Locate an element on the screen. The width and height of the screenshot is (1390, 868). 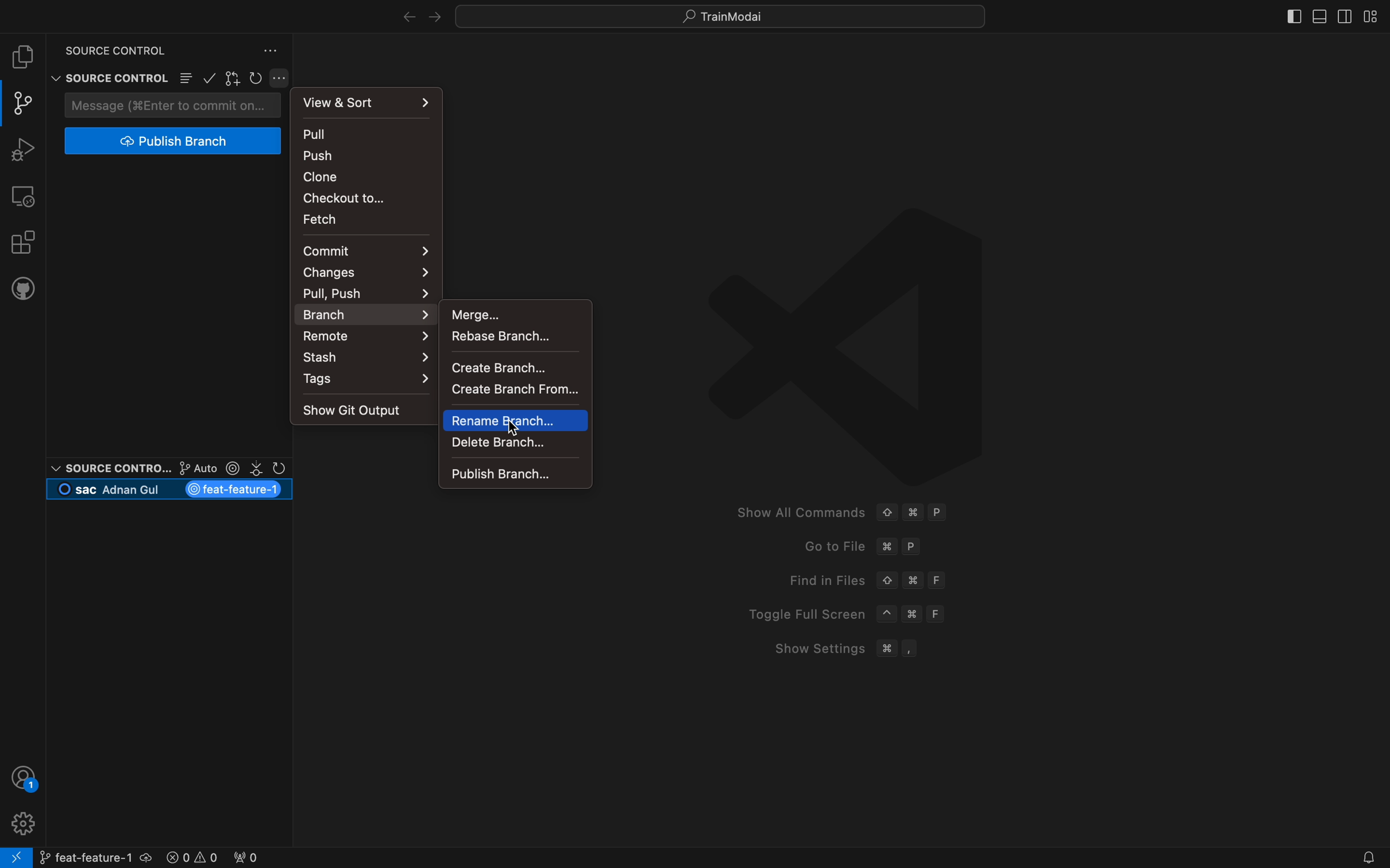
delete is located at coordinates (517, 443).